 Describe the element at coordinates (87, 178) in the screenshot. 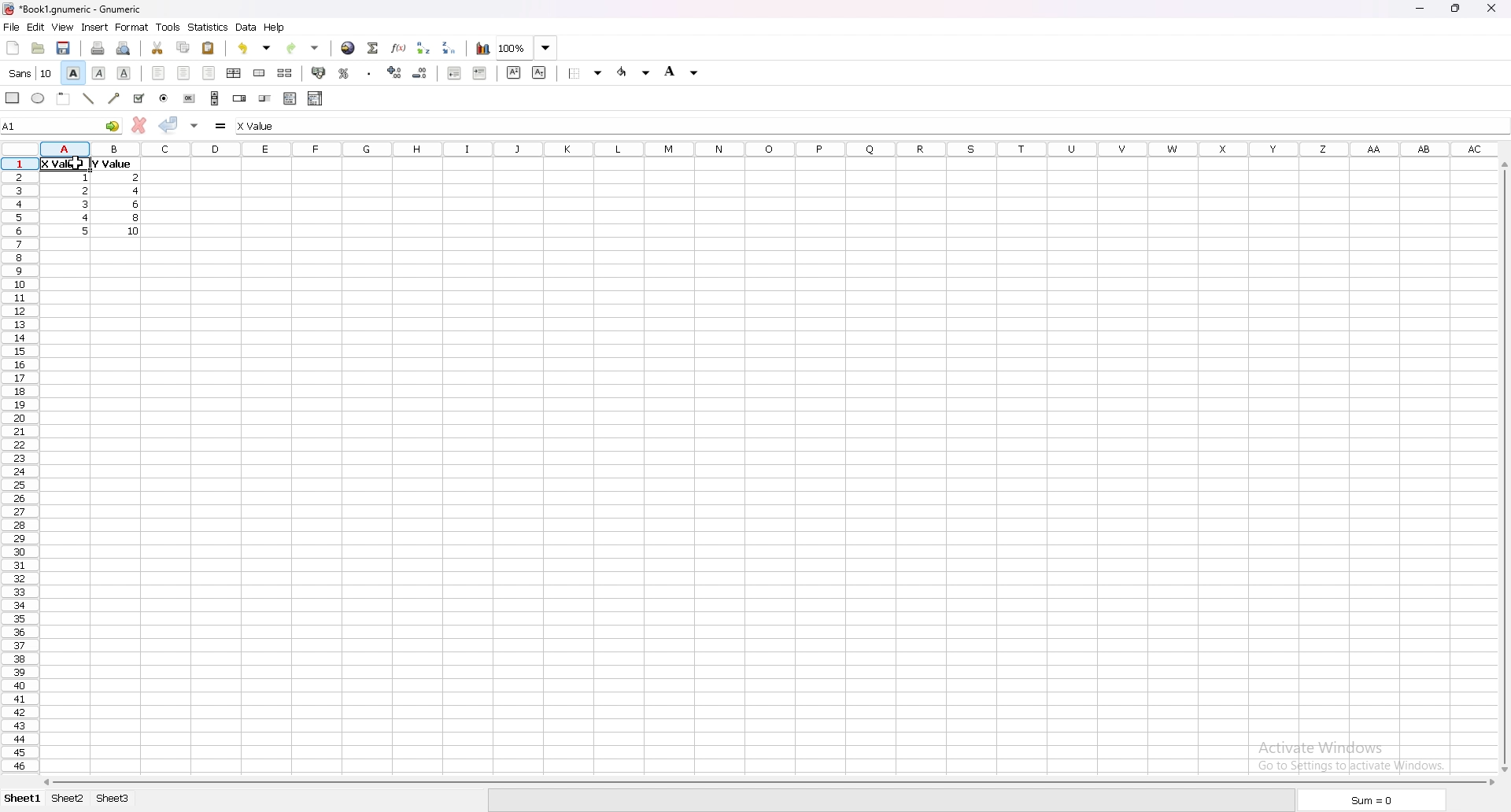

I see `value` at that location.